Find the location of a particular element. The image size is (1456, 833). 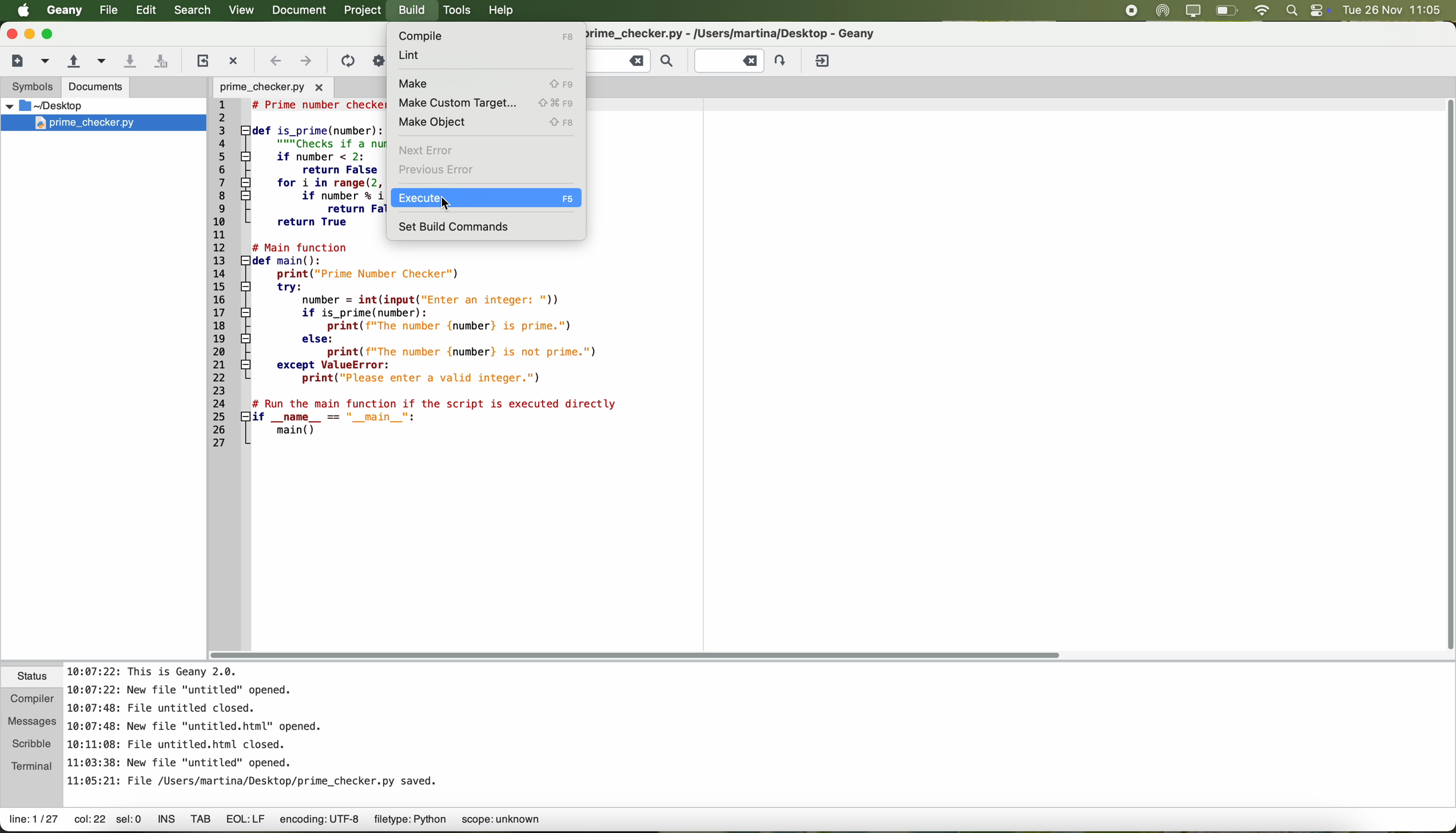

Jump to the entered line number is located at coordinates (742, 59).